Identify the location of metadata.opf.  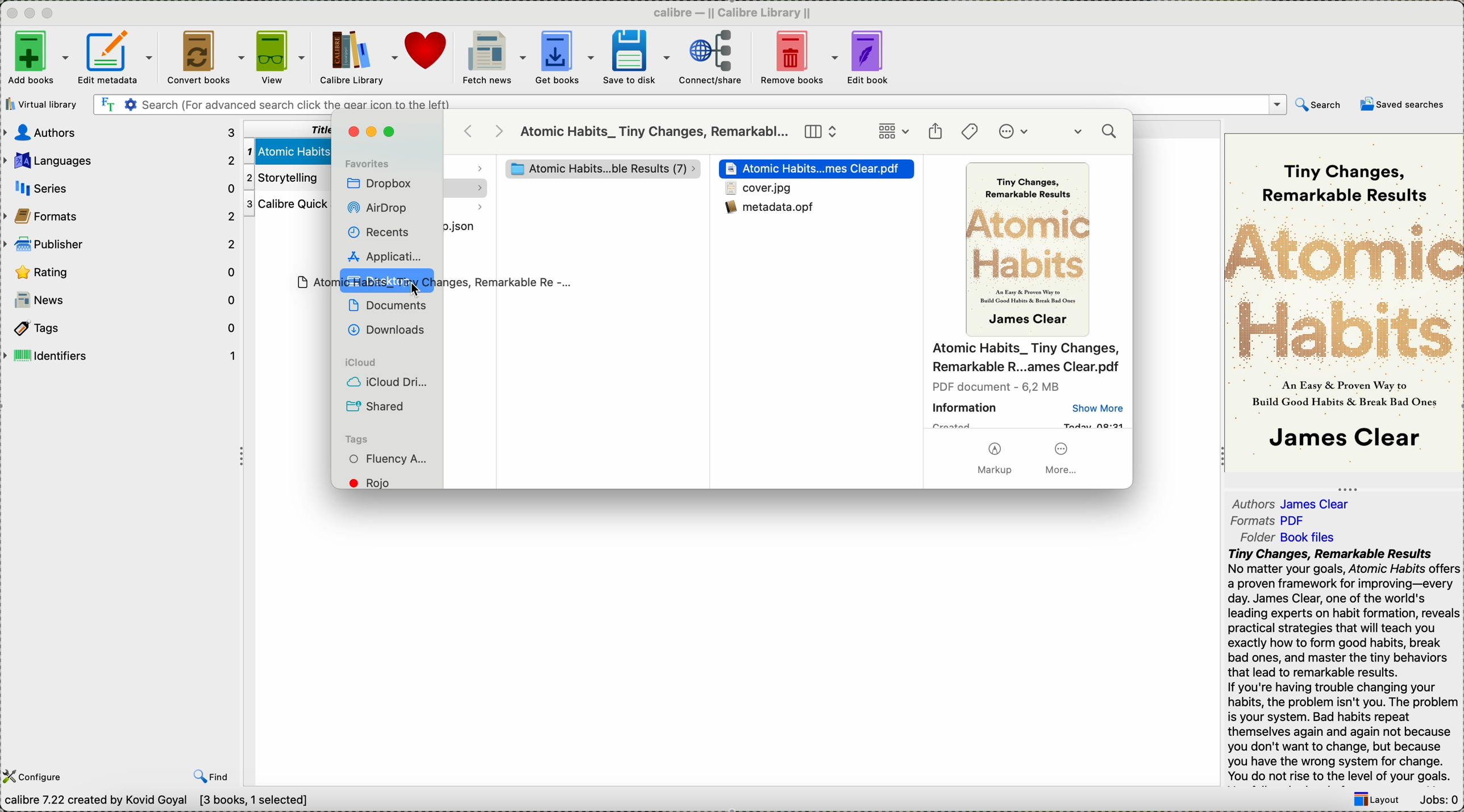
(775, 214).